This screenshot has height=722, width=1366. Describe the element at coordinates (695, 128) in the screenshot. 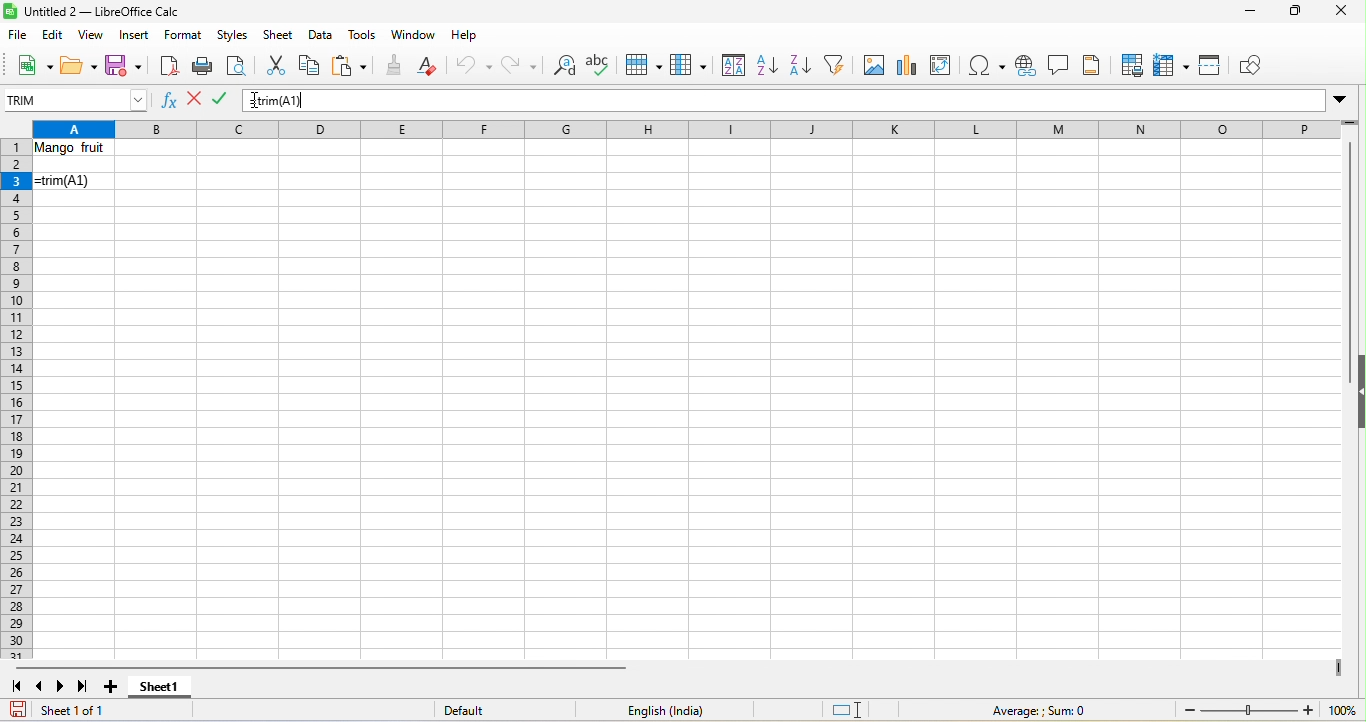

I see `column headings` at that location.